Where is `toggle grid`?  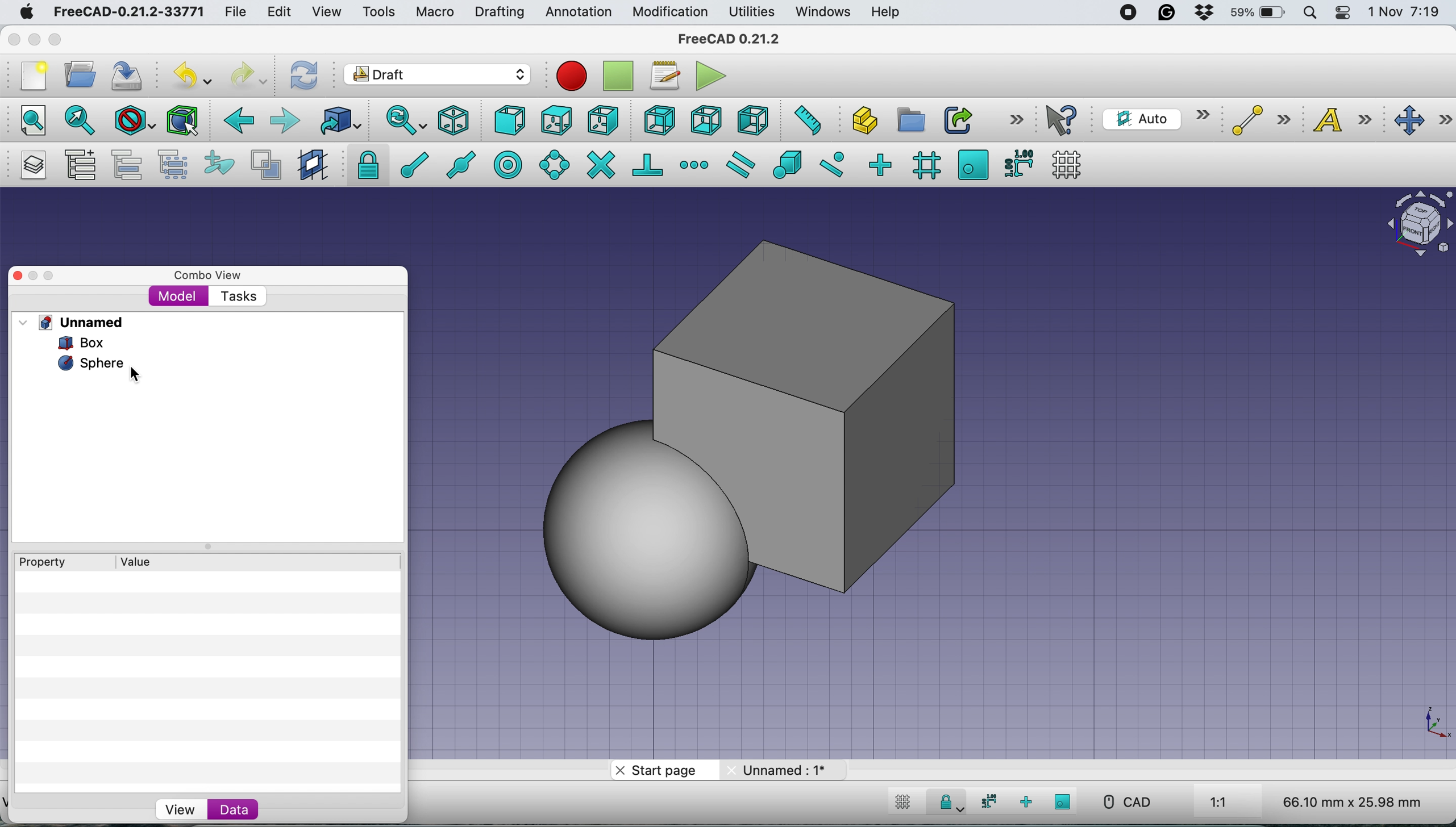
toggle grid is located at coordinates (900, 804).